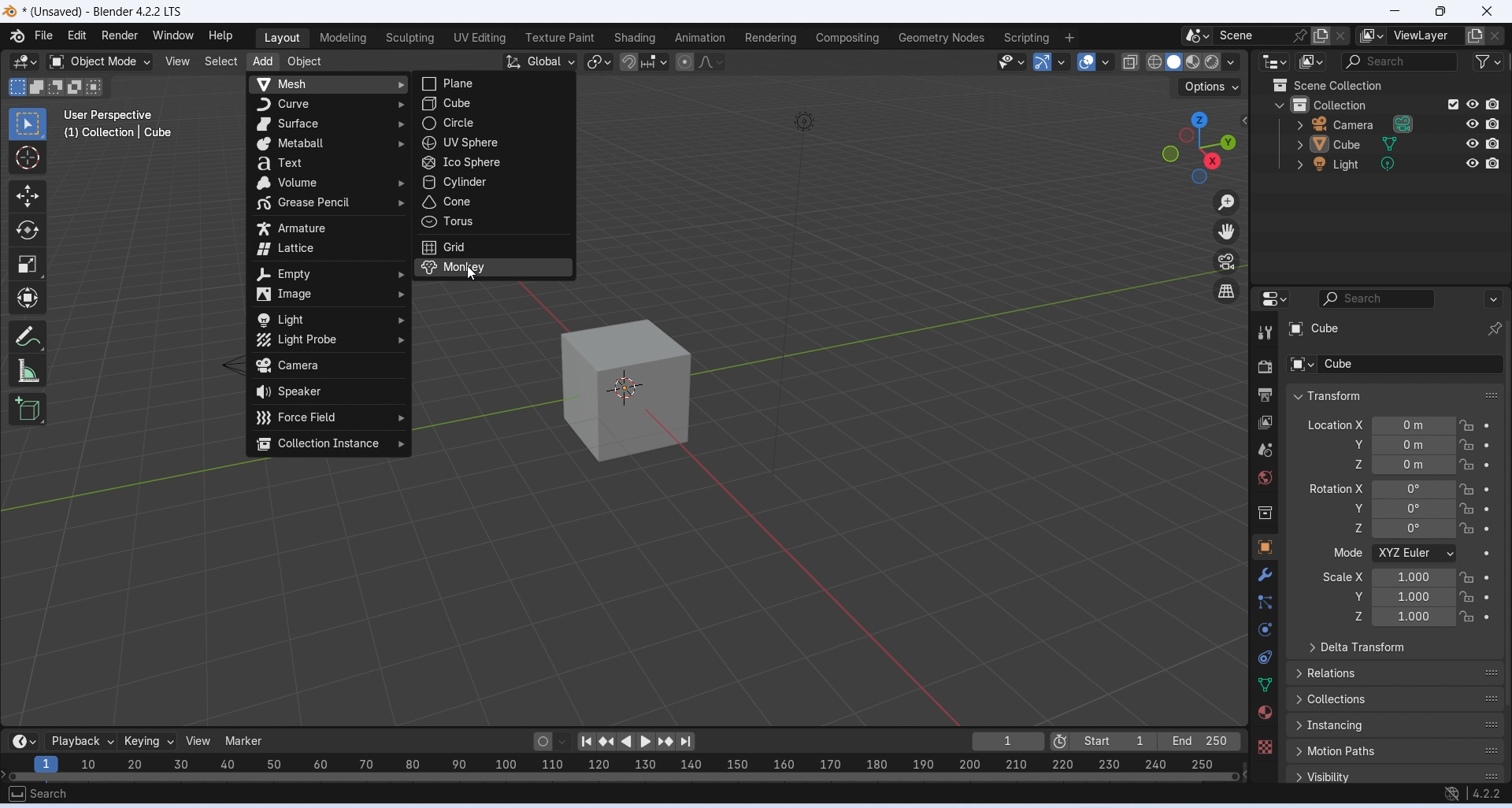 The height and width of the screenshot is (808, 1512). Describe the element at coordinates (1414, 490) in the screenshot. I see `euler rotation` at that location.